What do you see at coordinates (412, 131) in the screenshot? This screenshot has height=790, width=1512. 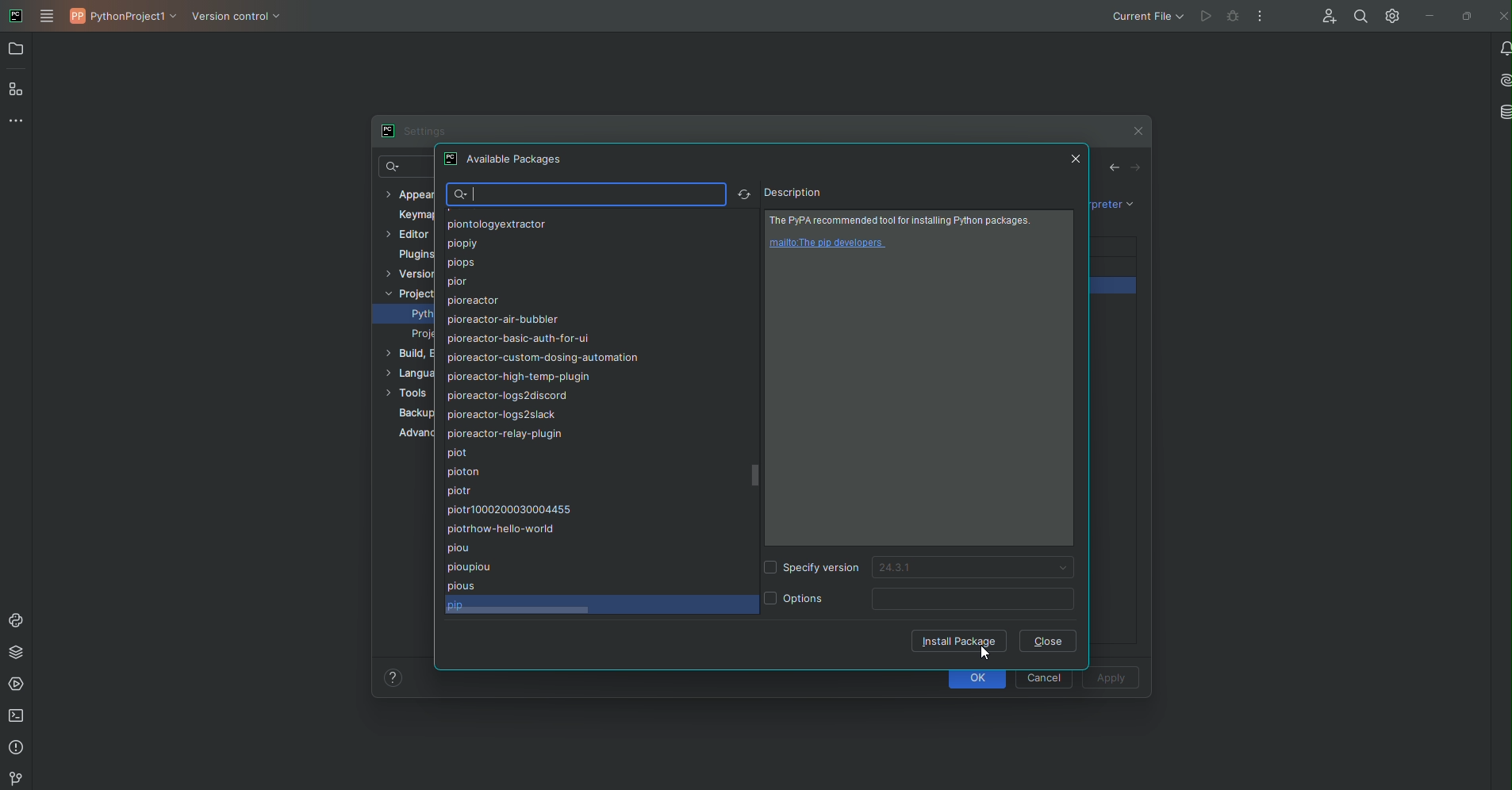 I see `Settings` at bounding box center [412, 131].